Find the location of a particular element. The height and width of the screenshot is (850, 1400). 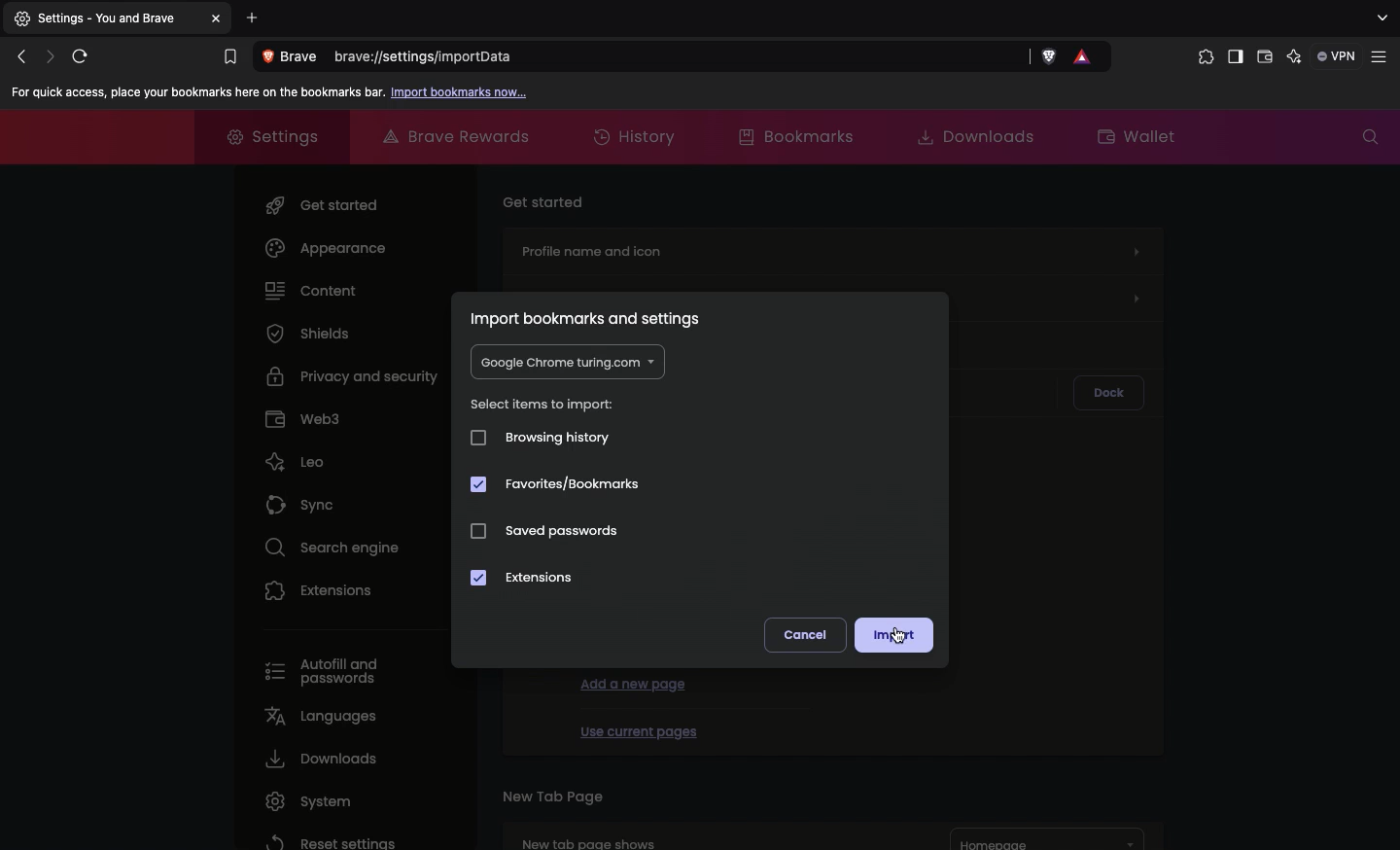

Brave rewards is located at coordinates (459, 136).